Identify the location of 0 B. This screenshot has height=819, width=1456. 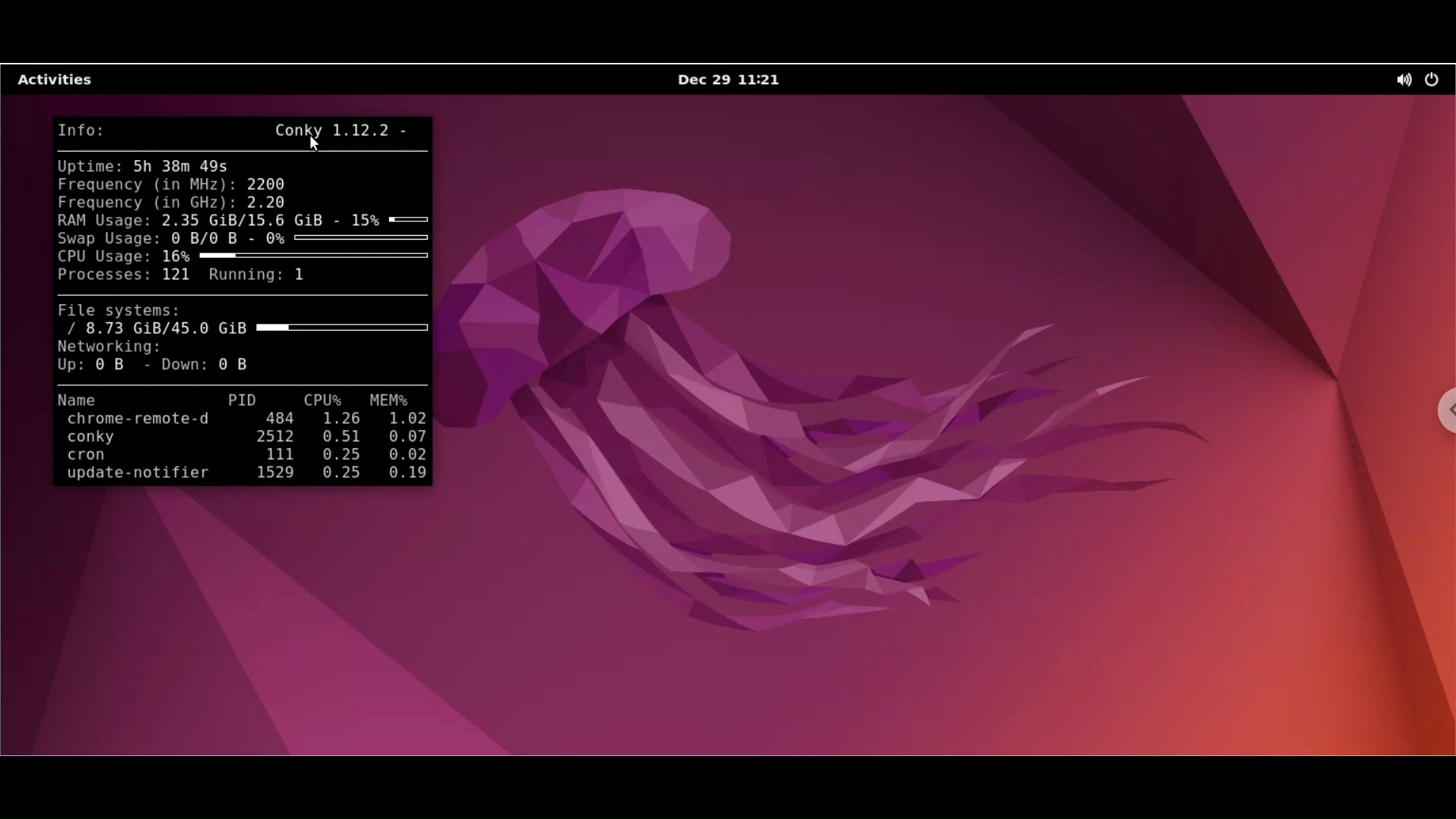
(239, 364).